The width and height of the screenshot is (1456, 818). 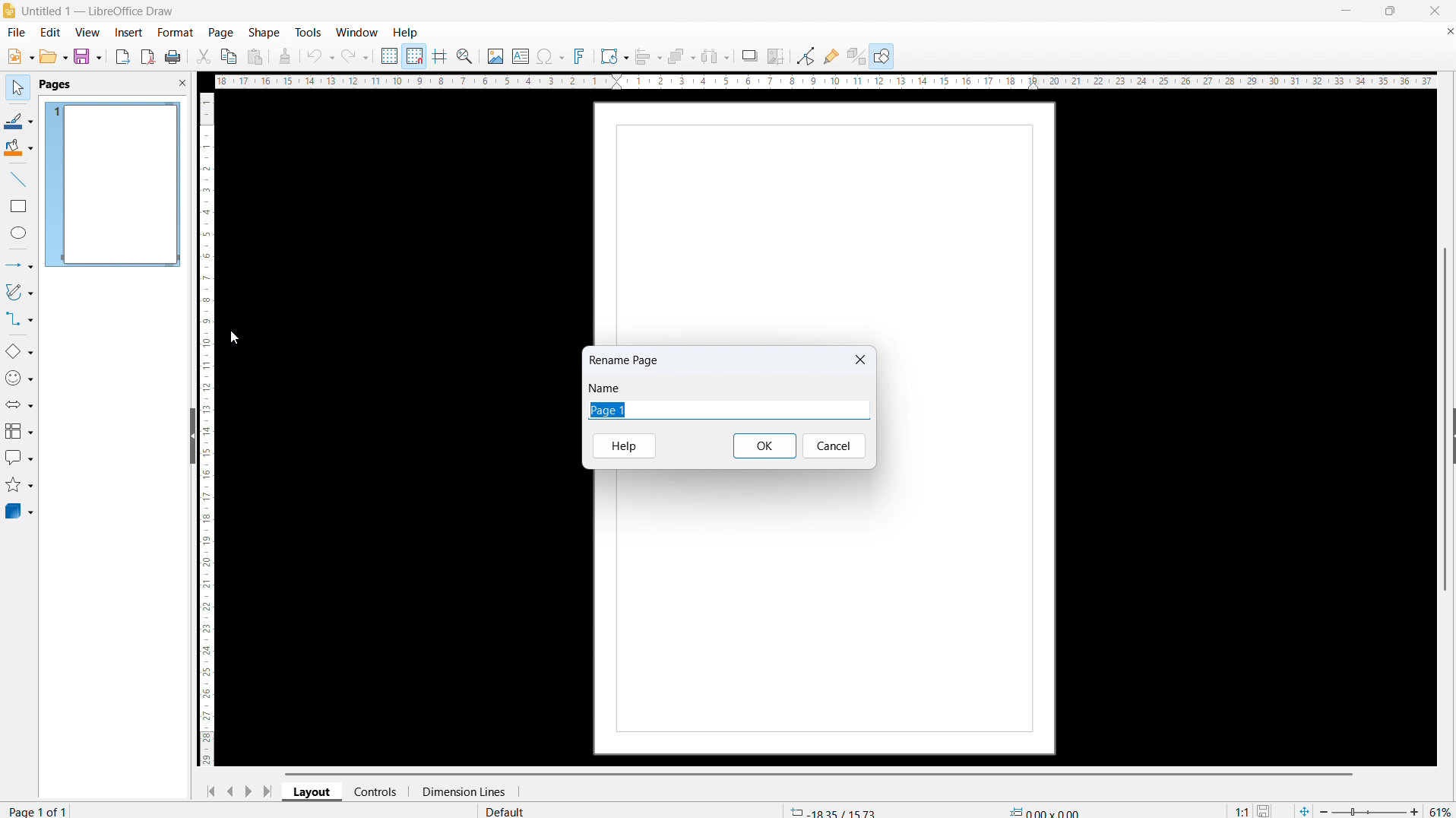 What do you see at coordinates (830, 55) in the screenshot?
I see `show gluepoint functions` at bounding box center [830, 55].